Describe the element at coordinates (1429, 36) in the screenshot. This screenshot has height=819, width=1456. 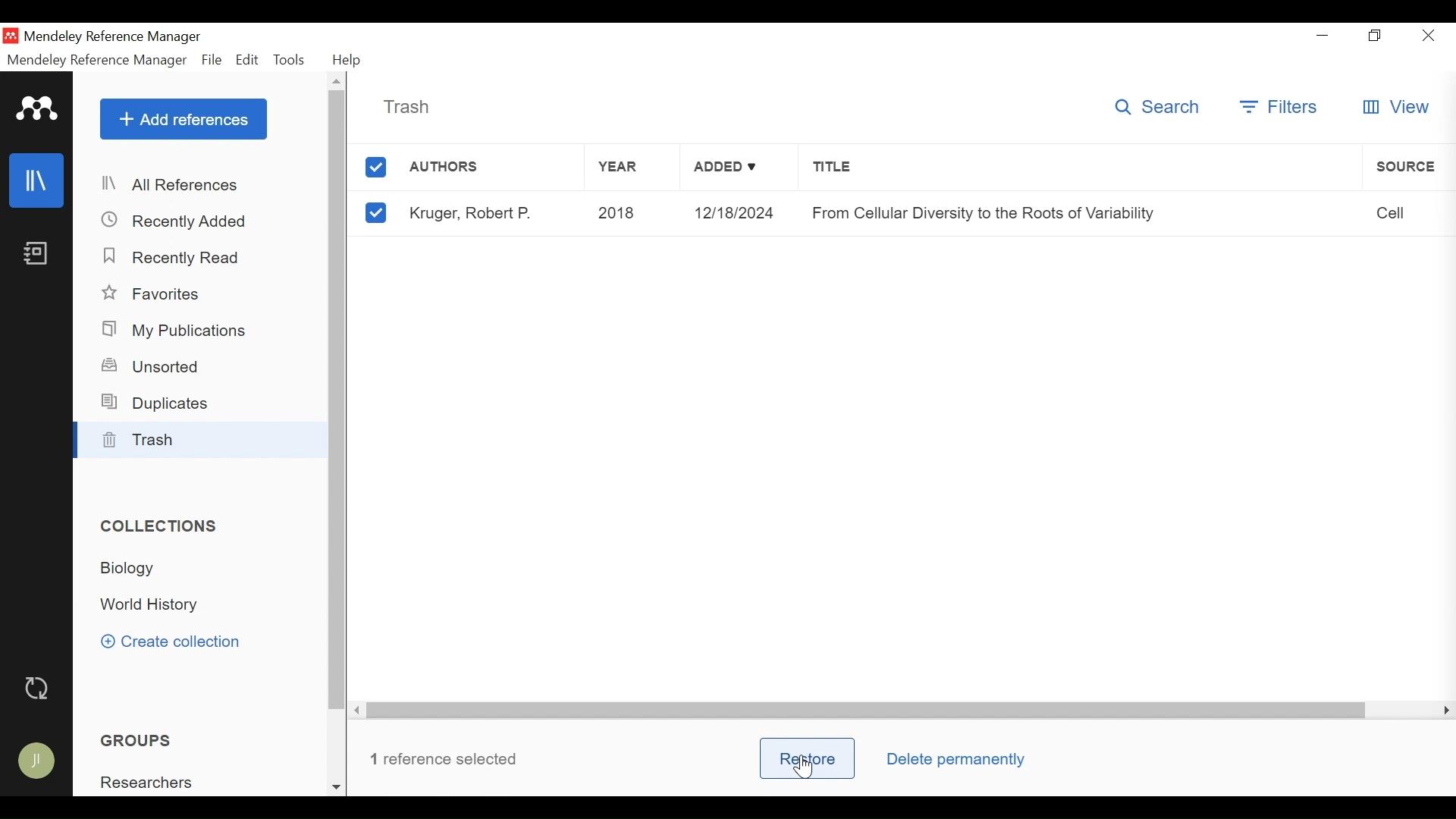
I see `Close` at that location.